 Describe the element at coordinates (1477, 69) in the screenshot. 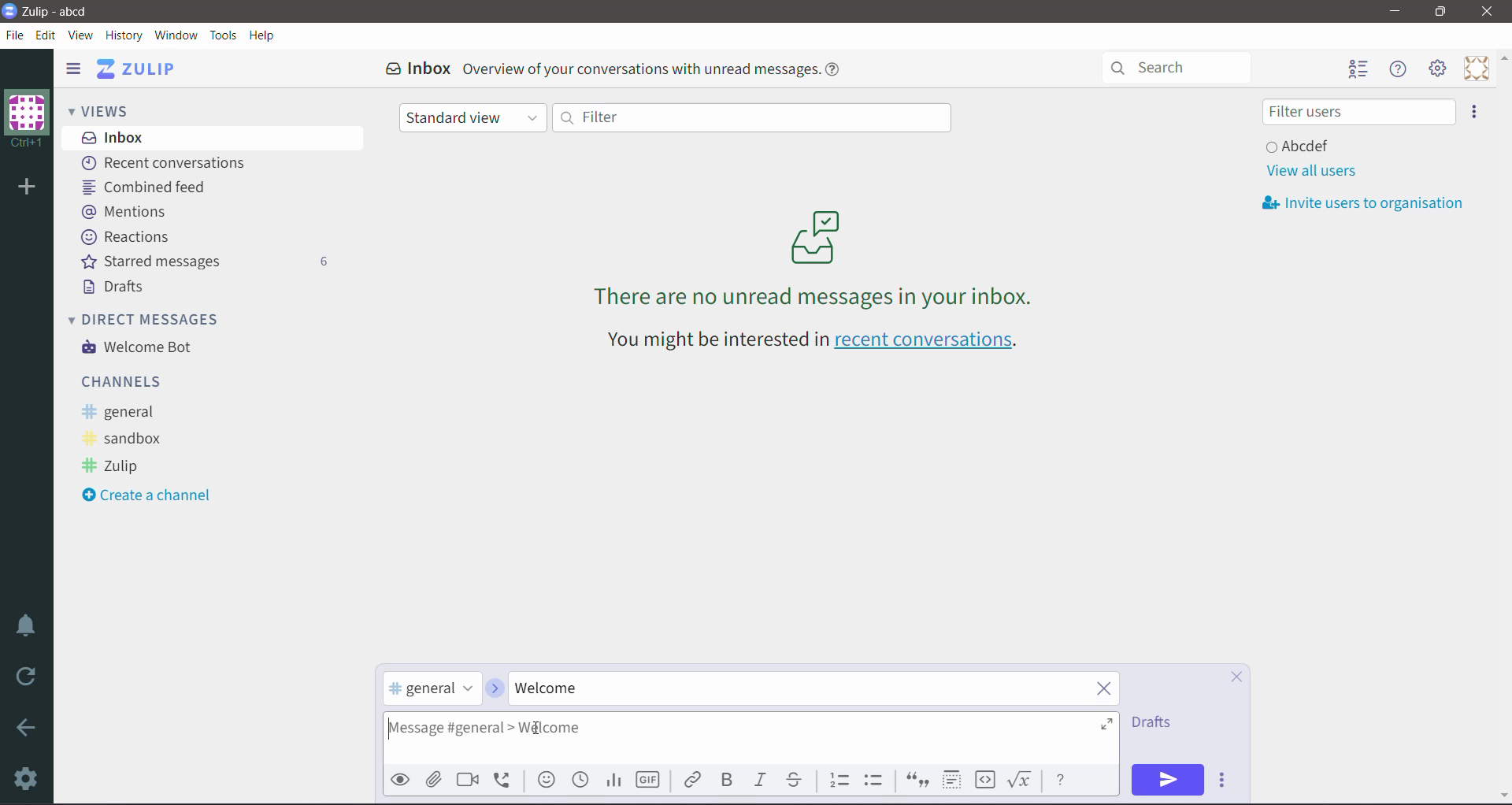

I see `Personal Menu` at that location.